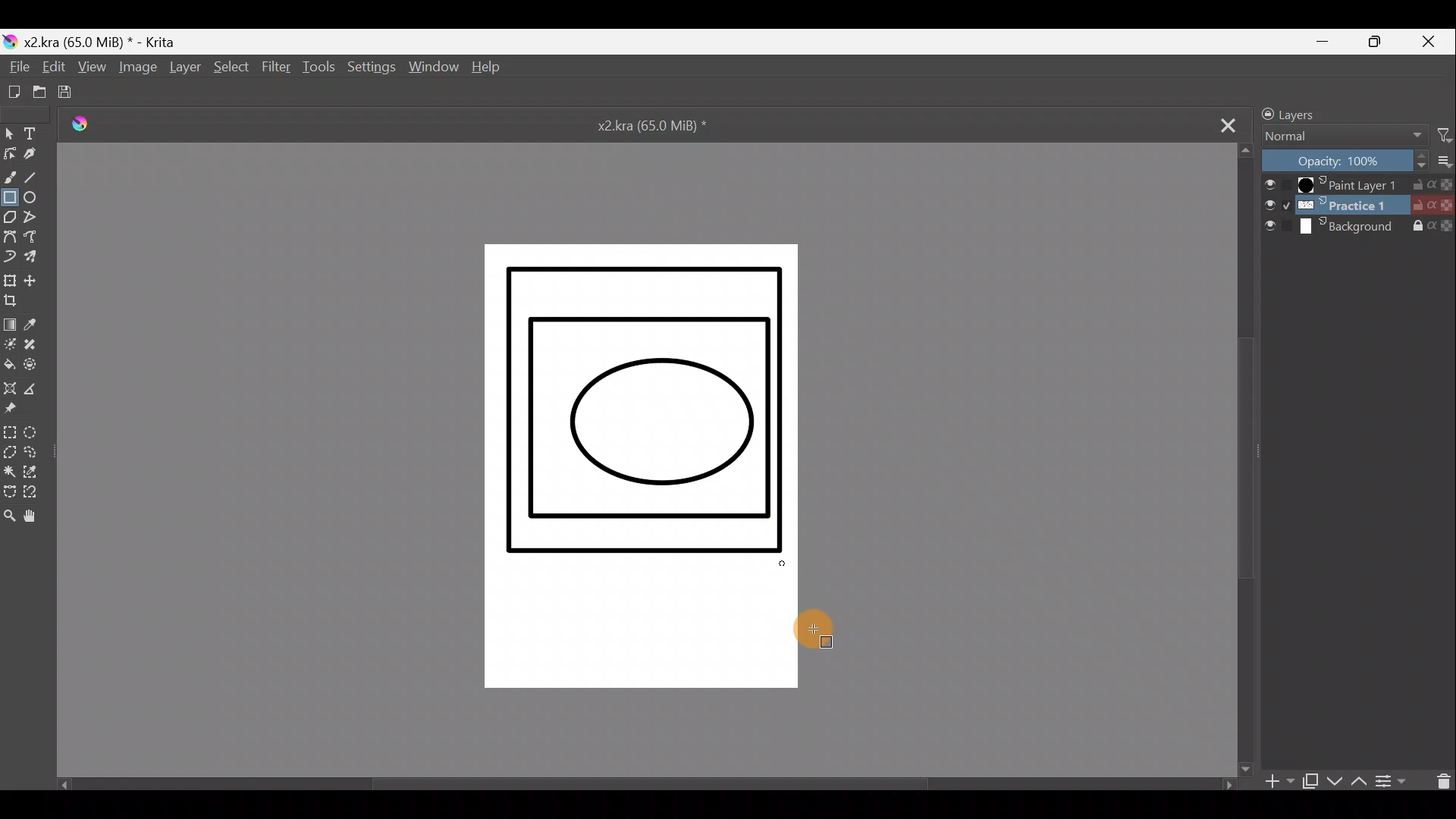  Describe the element at coordinates (11, 364) in the screenshot. I see `Fill a contiguous area of colour with colour/fill a selection` at that location.